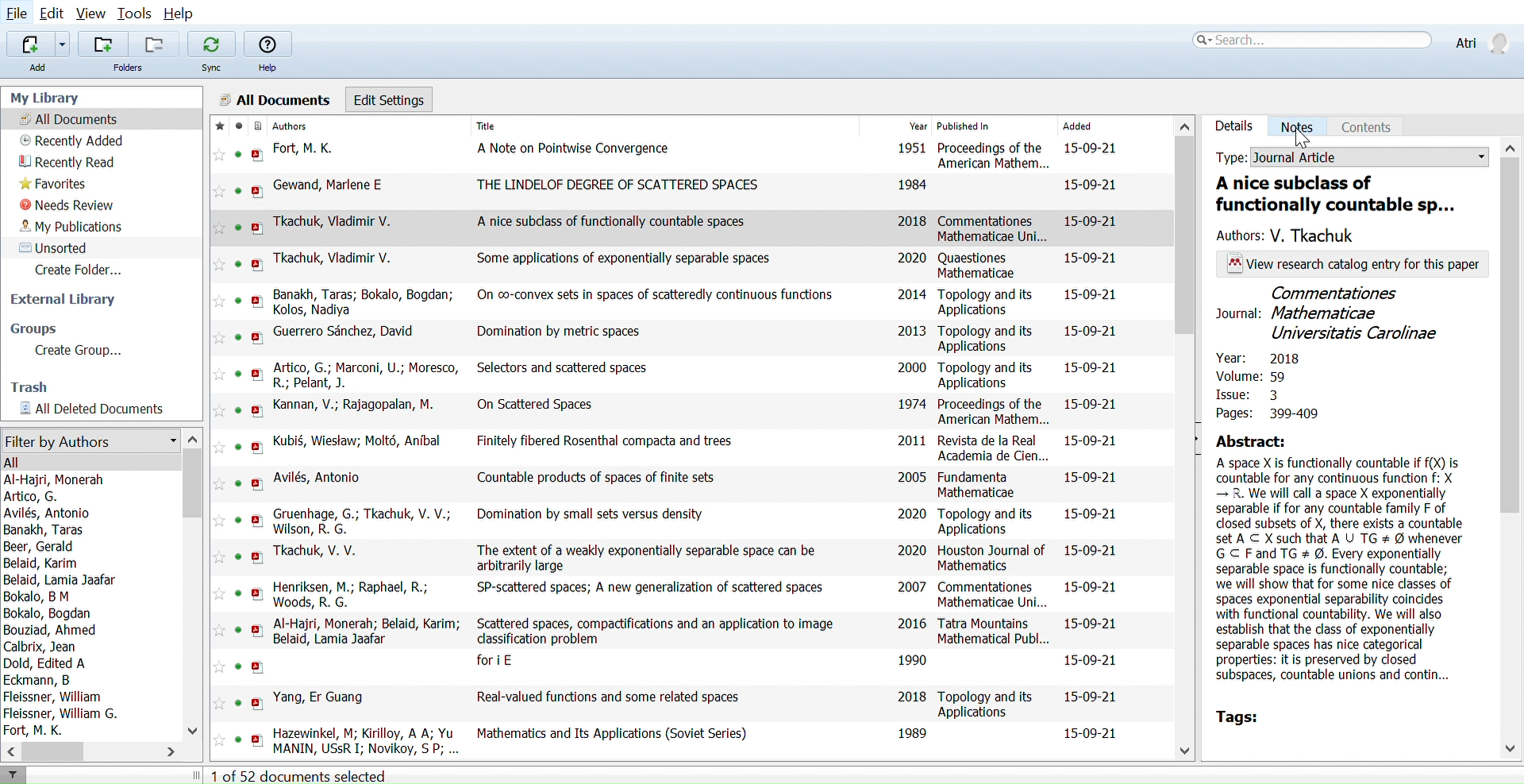 The width and height of the screenshot is (1524, 784). Describe the element at coordinates (52, 631) in the screenshot. I see `Bouziad, Ahmed` at that location.